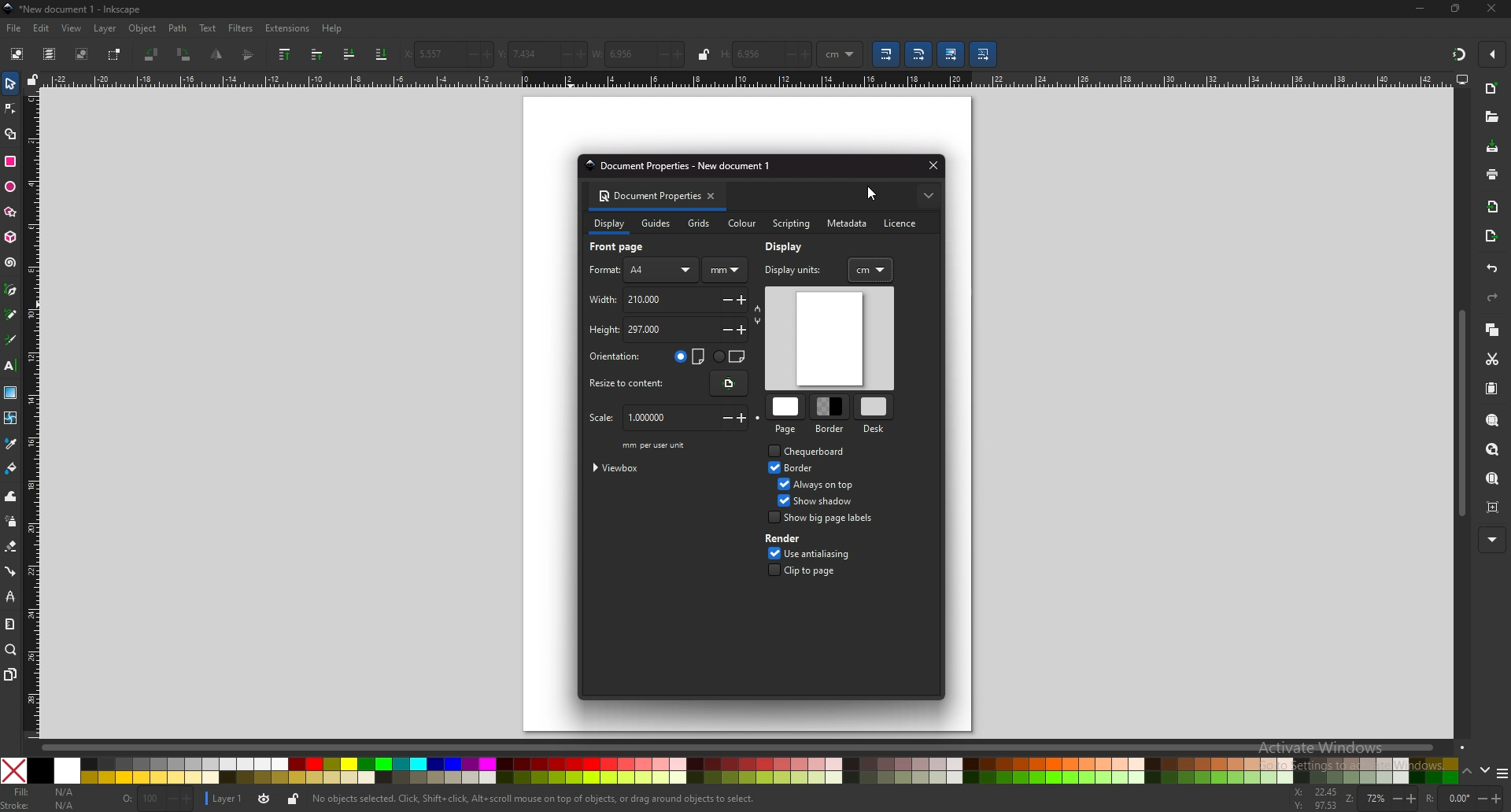 This screenshot has height=812, width=1511. I want to click on more colors, so click(1502, 771).